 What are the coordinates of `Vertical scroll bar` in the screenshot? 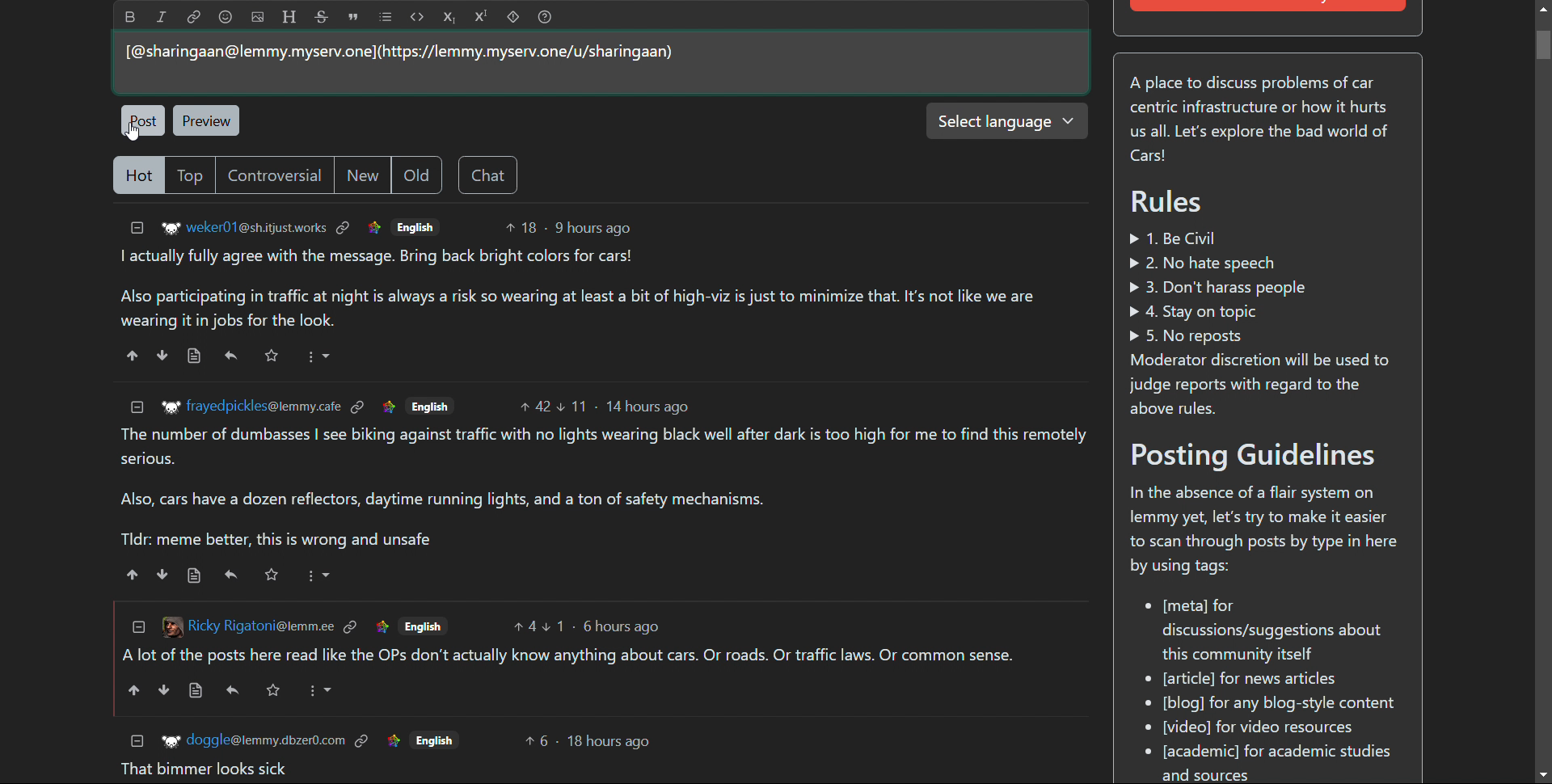 It's located at (1542, 45).